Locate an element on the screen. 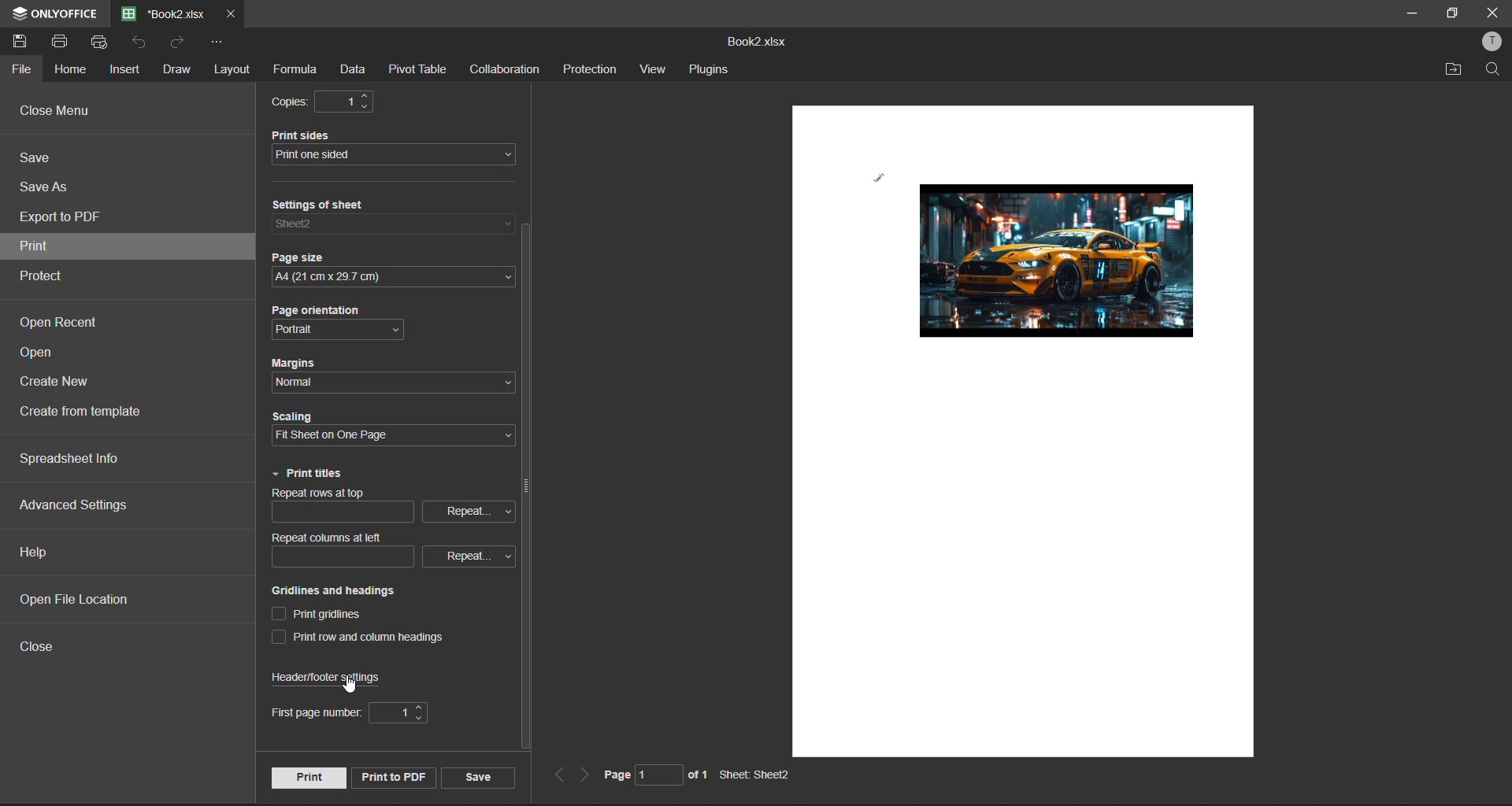 The width and height of the screenshot is (1512, 806). home is located at coordinates (73, 68).